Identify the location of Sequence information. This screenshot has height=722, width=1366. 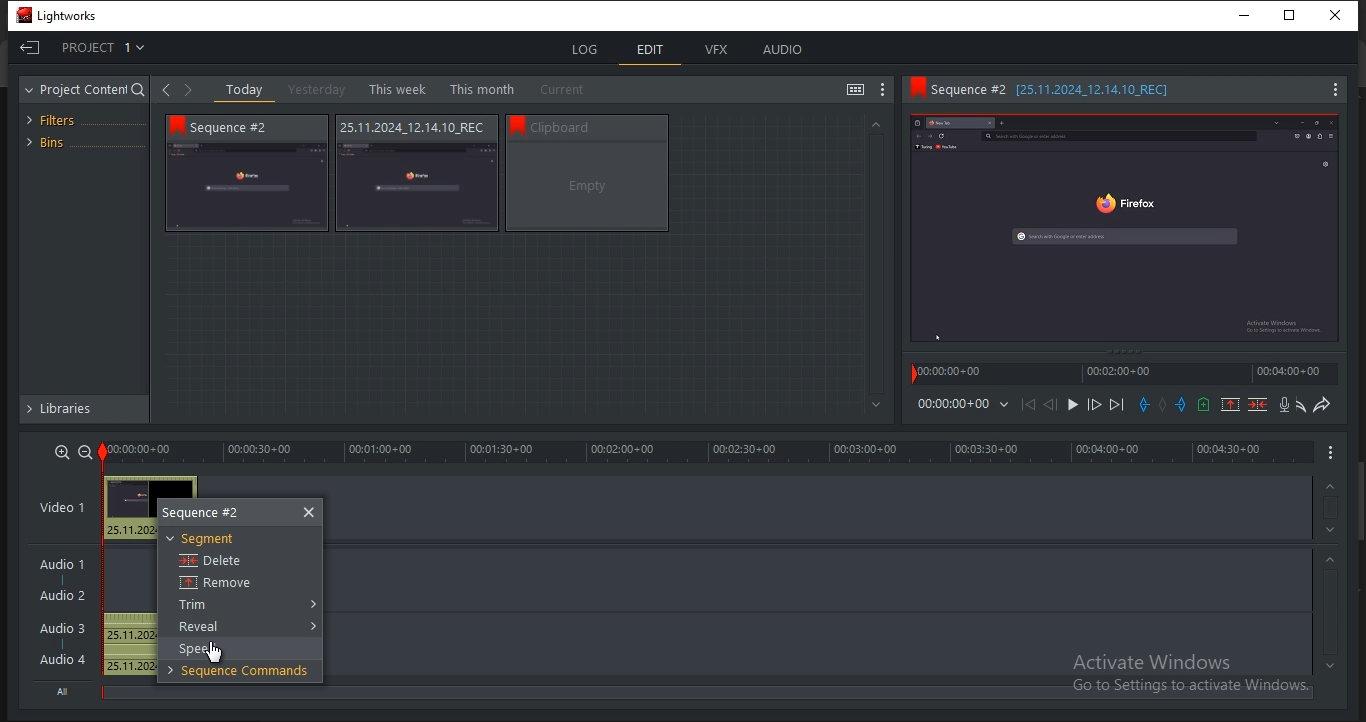
(411, 128).